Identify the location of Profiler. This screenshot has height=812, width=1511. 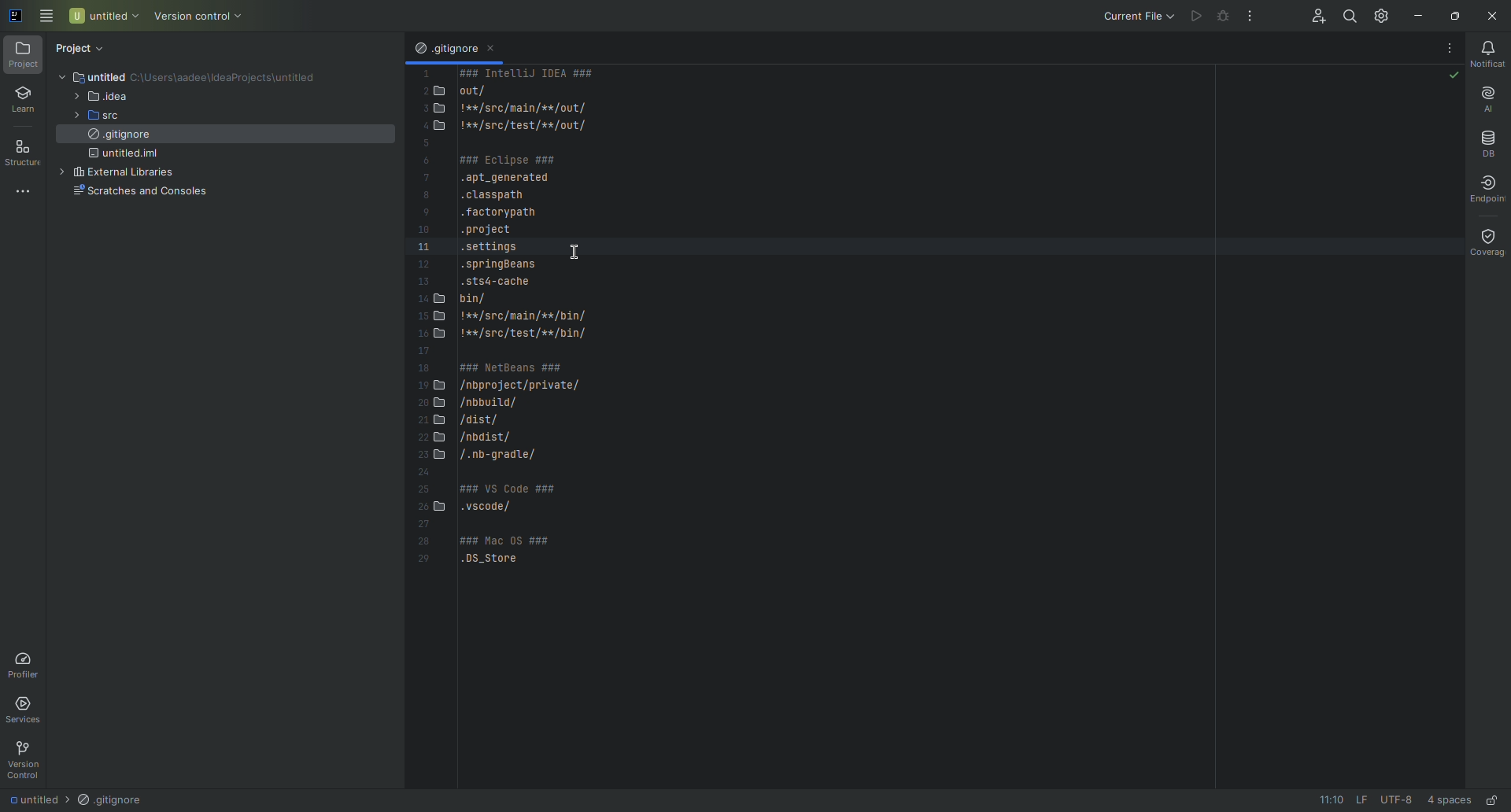
(26, 664).